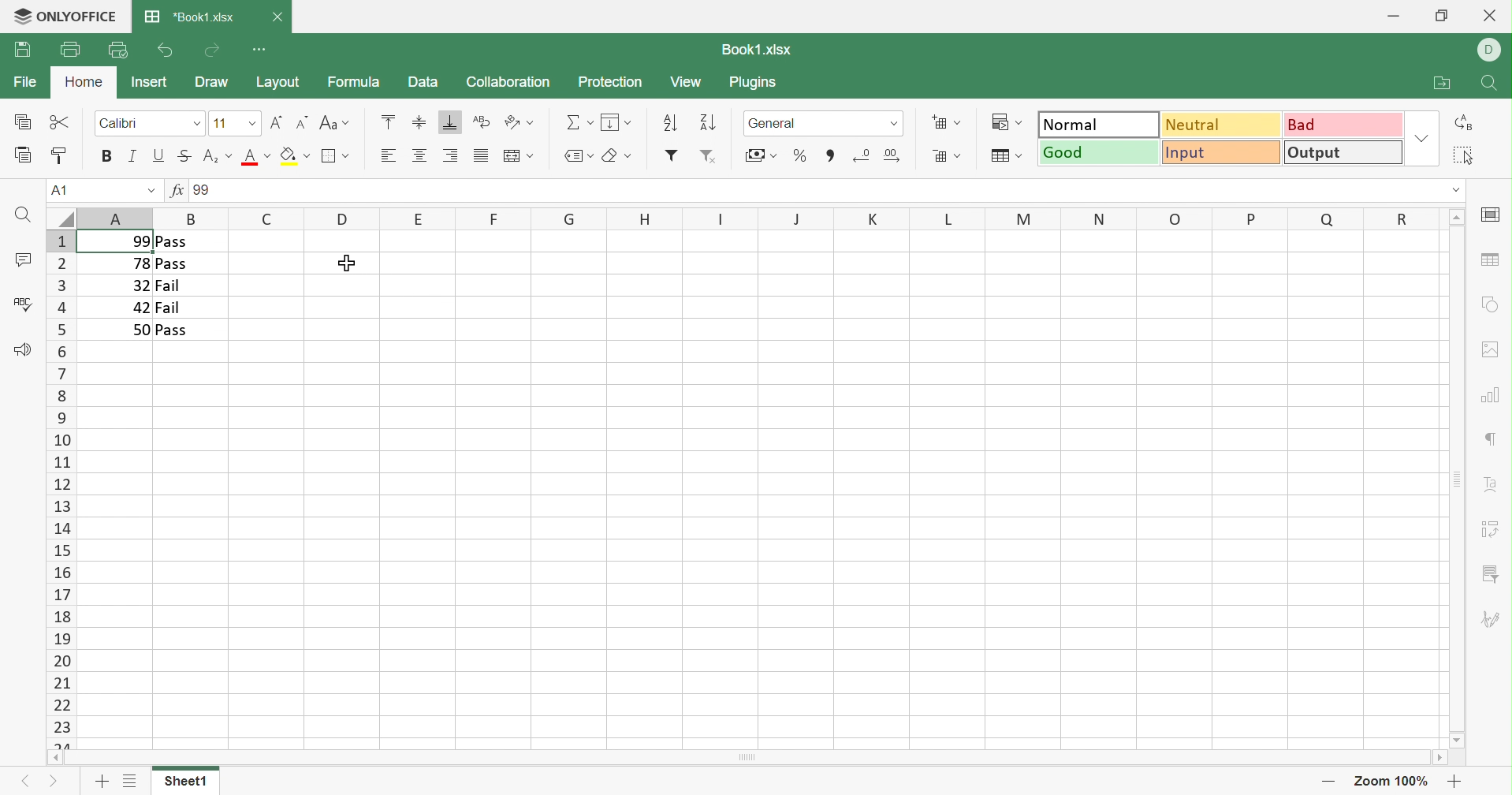 The image size is (1512, 795). I want to click on Cut, so click(61, 123).